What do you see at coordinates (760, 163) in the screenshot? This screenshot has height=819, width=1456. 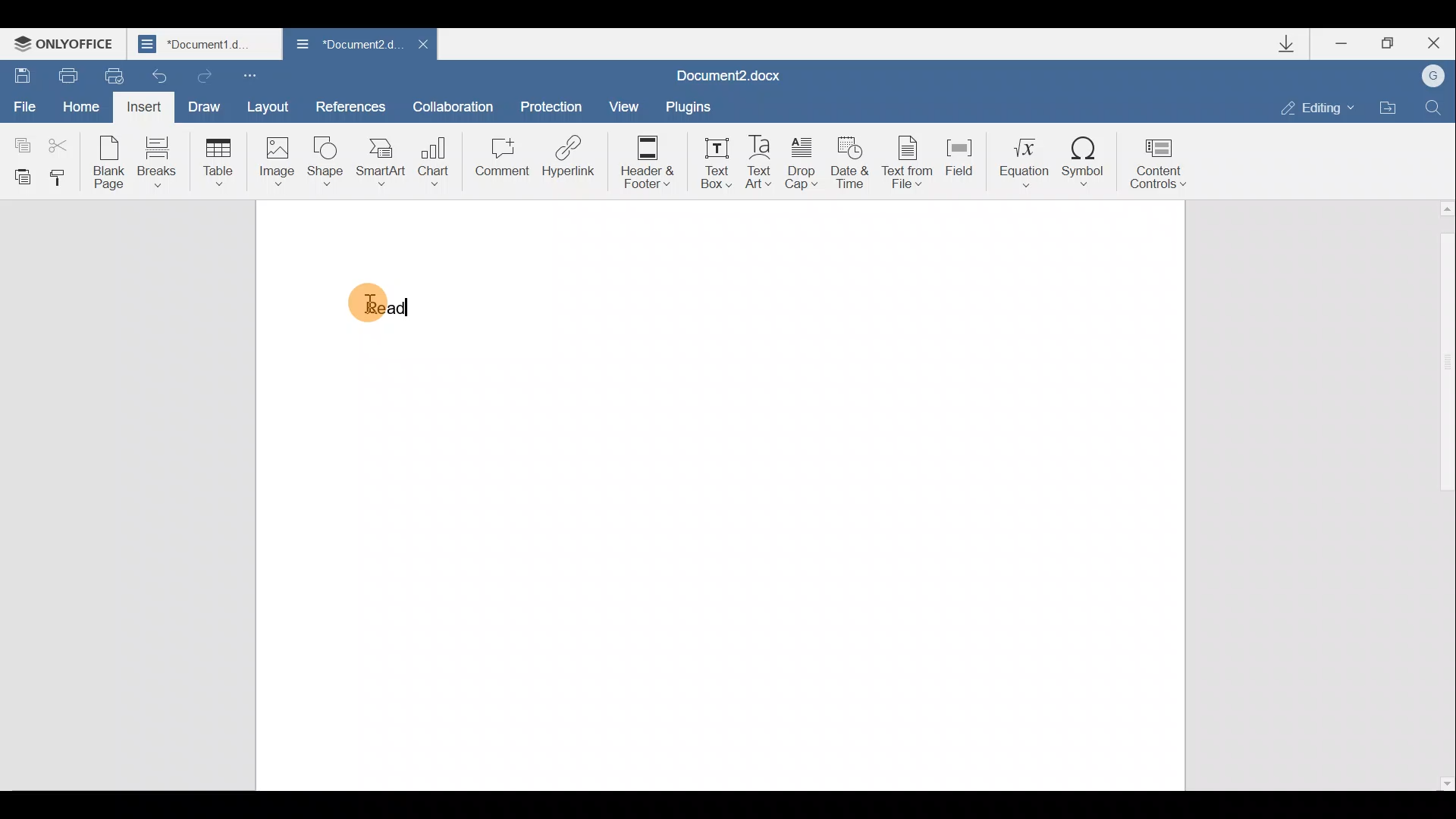 I see `Text Art` at bounding box center [760, 163].